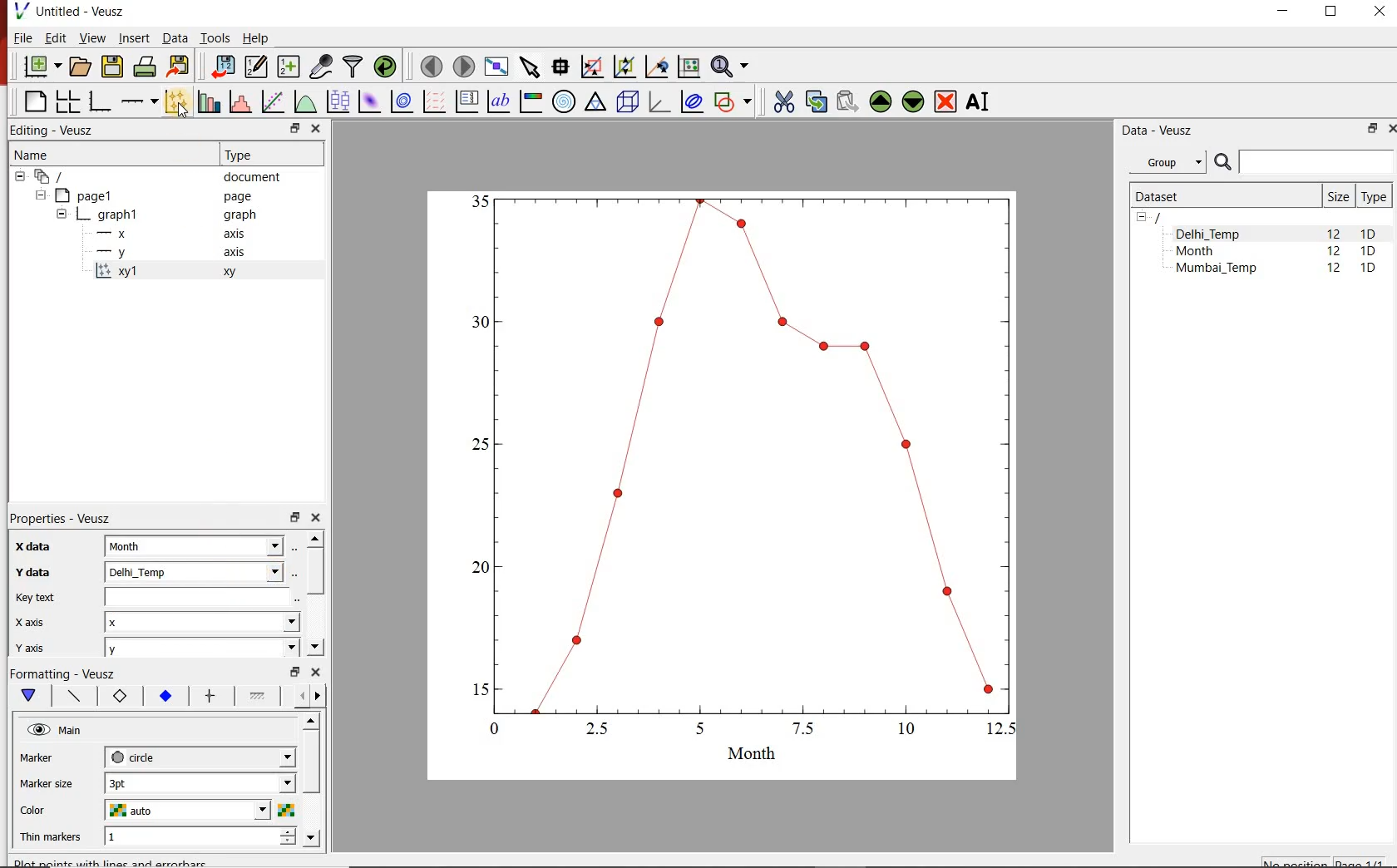 The width and height of the screenshot is (1397, 868). Describe the element at coordinates (560, 67) in the screenshot. I see `read data points on the graph` at that location.